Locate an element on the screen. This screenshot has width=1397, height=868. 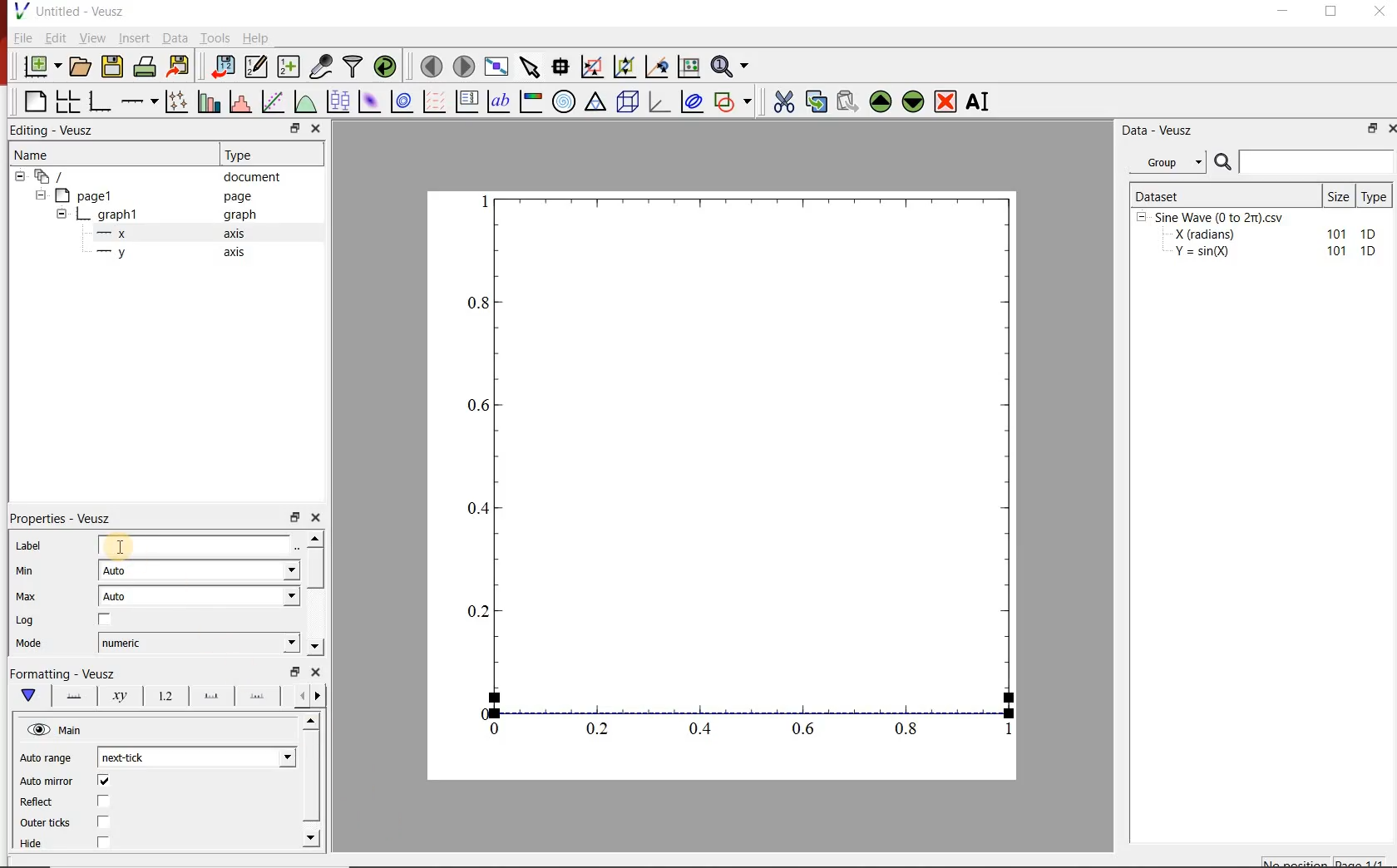
1.2 is located at coordinates (163, 697).